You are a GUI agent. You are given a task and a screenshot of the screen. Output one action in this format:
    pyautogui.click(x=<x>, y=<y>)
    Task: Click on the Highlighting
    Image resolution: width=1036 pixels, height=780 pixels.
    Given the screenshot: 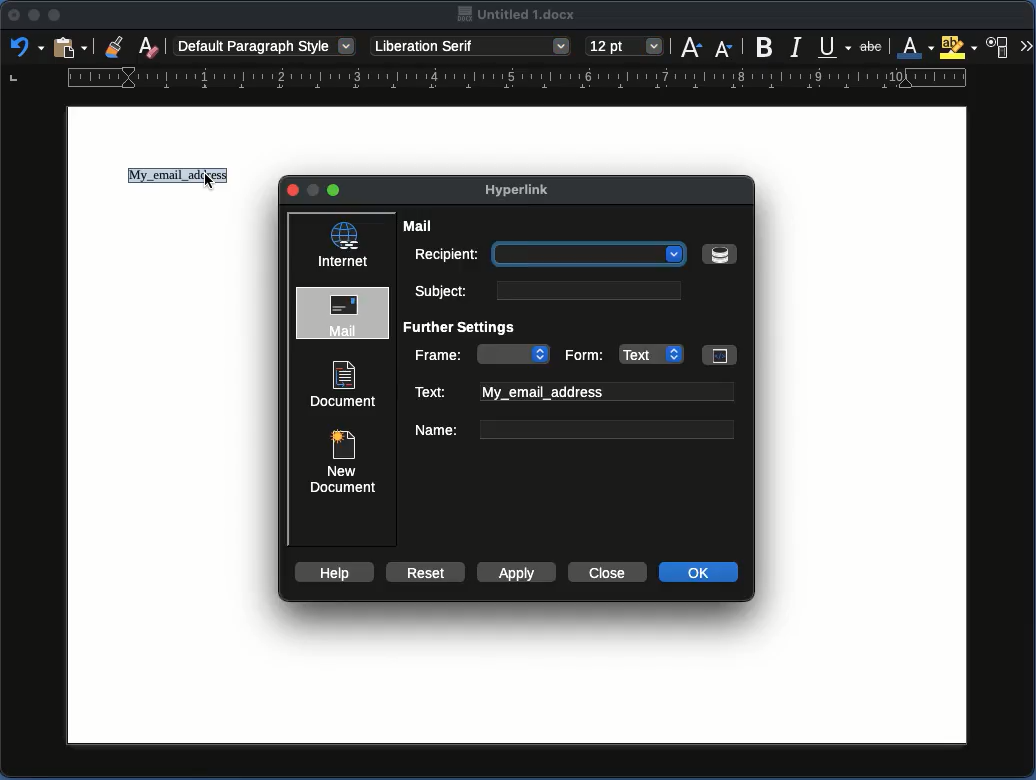 What is the action you would take?
    pyautogui.click(x=958, y=47)
    